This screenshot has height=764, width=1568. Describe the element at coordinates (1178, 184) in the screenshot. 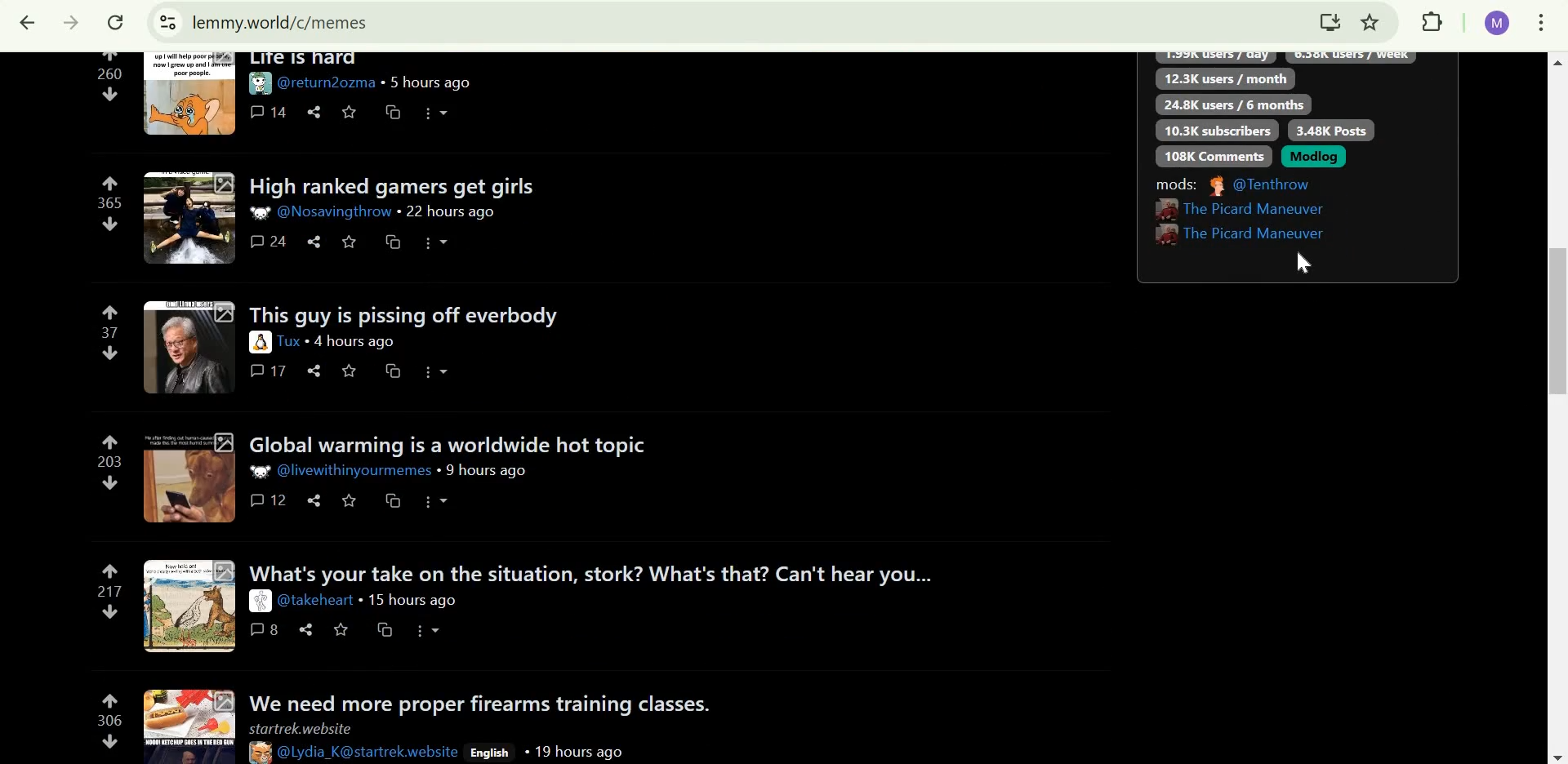

I see `Mods:` at that location.